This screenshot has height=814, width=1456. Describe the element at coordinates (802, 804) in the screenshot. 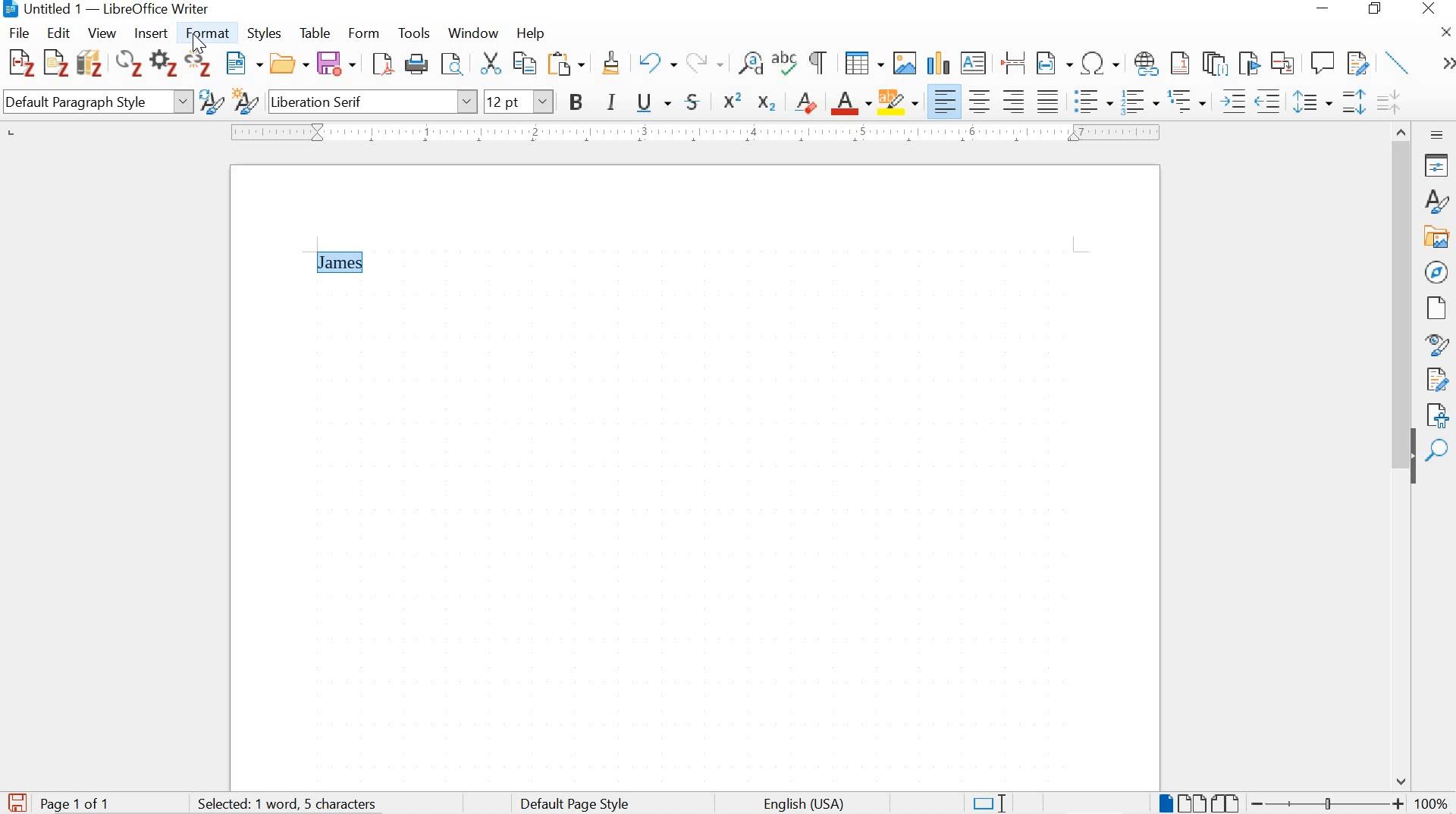

I see `text language english (usa)` at that location.